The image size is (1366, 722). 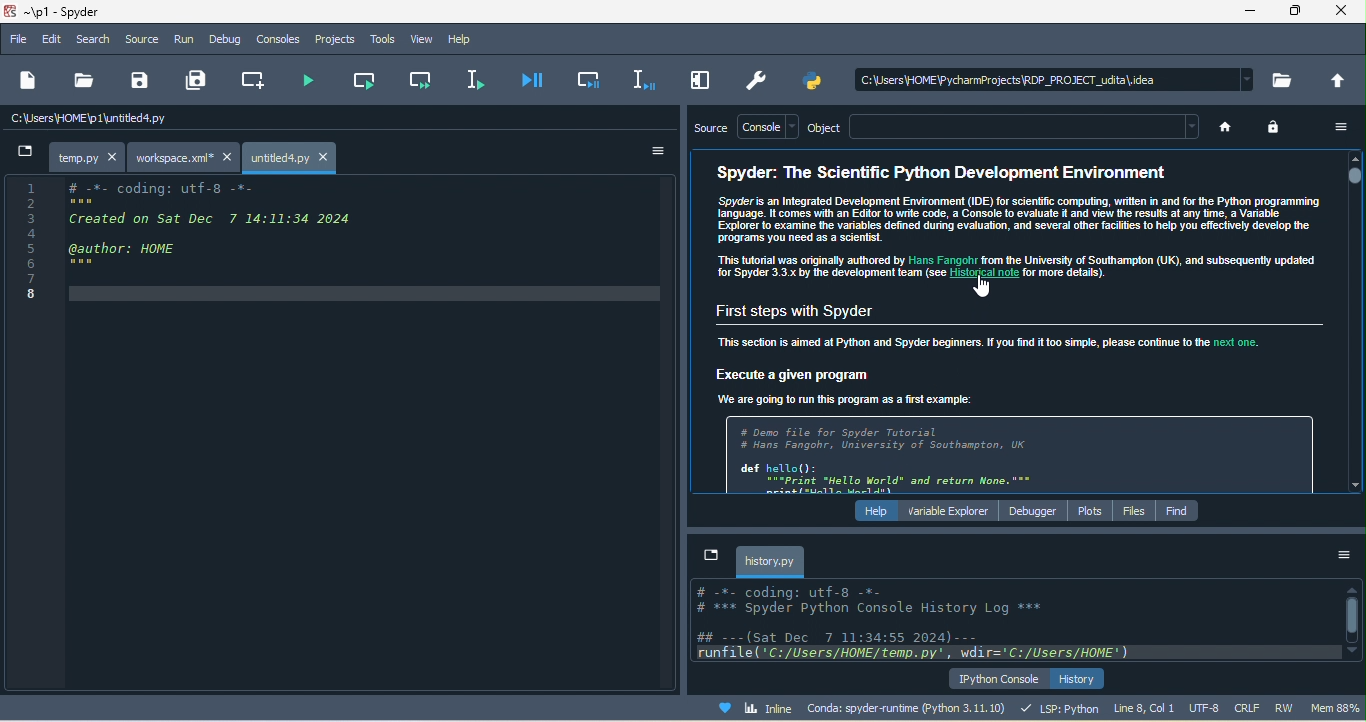 I want to click on conda spyder runtime, so click(x=911, y=710).